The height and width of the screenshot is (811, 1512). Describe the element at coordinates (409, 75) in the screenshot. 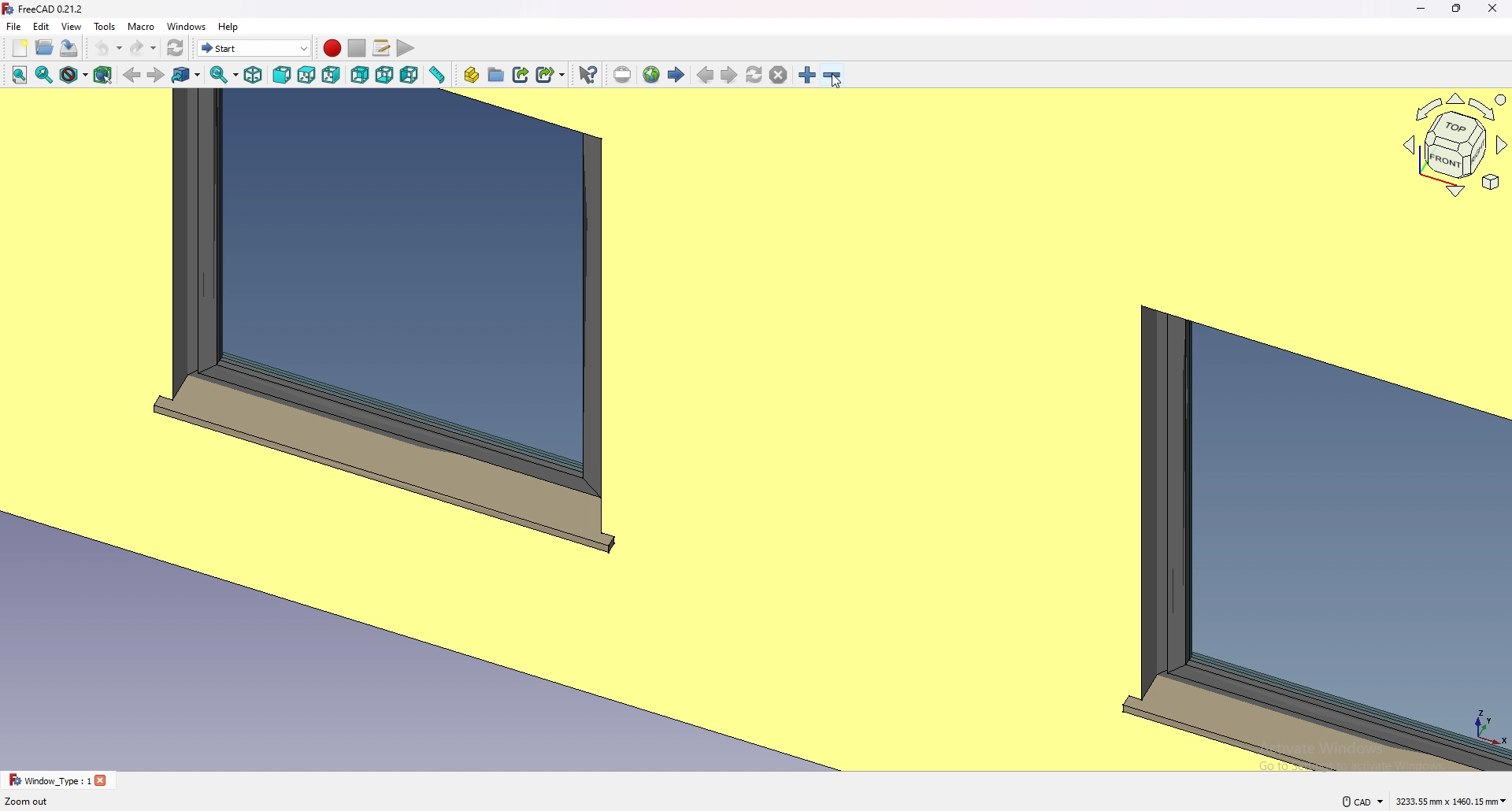

I see `left` at that location.